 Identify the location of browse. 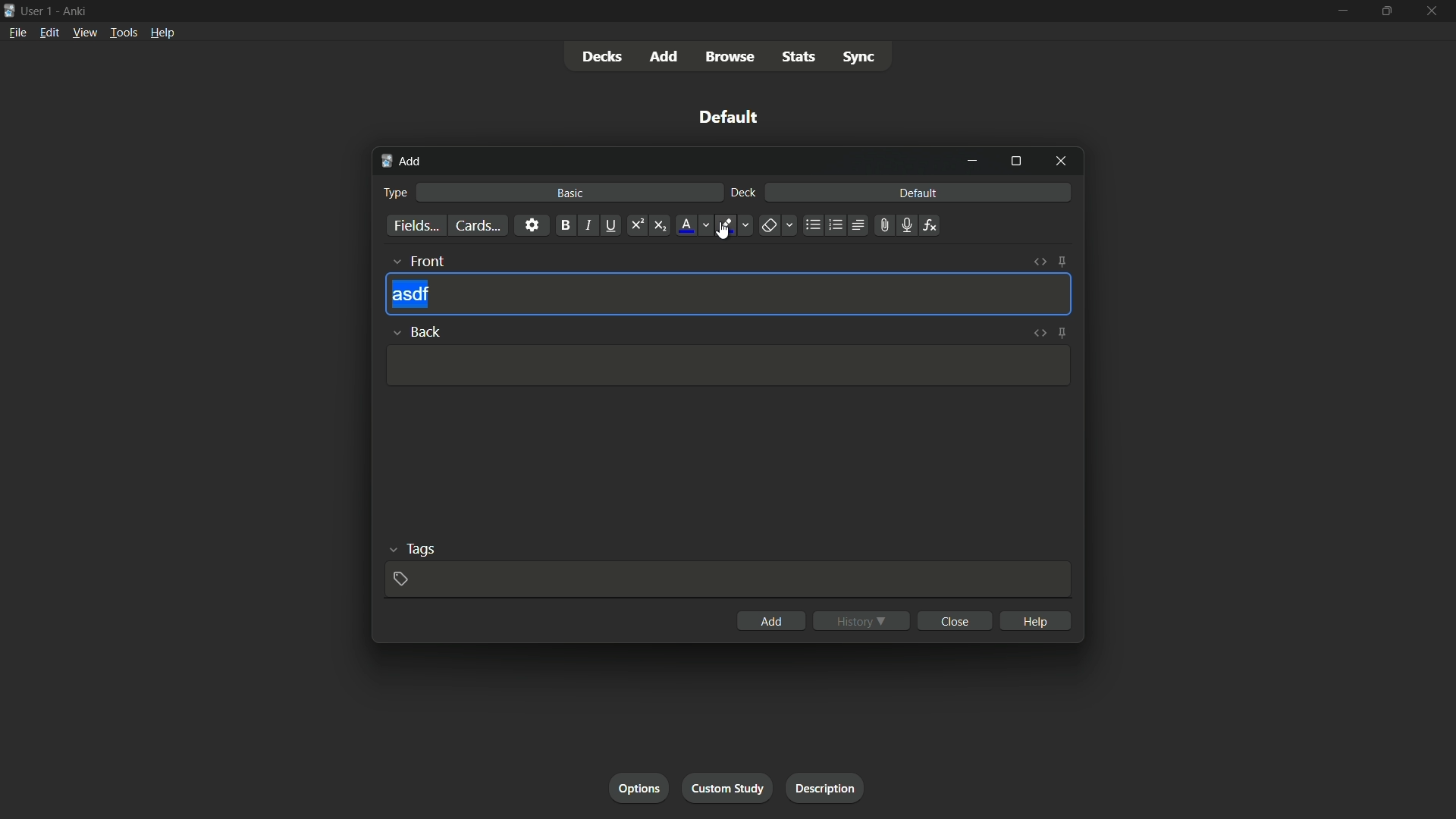
(730, 57).